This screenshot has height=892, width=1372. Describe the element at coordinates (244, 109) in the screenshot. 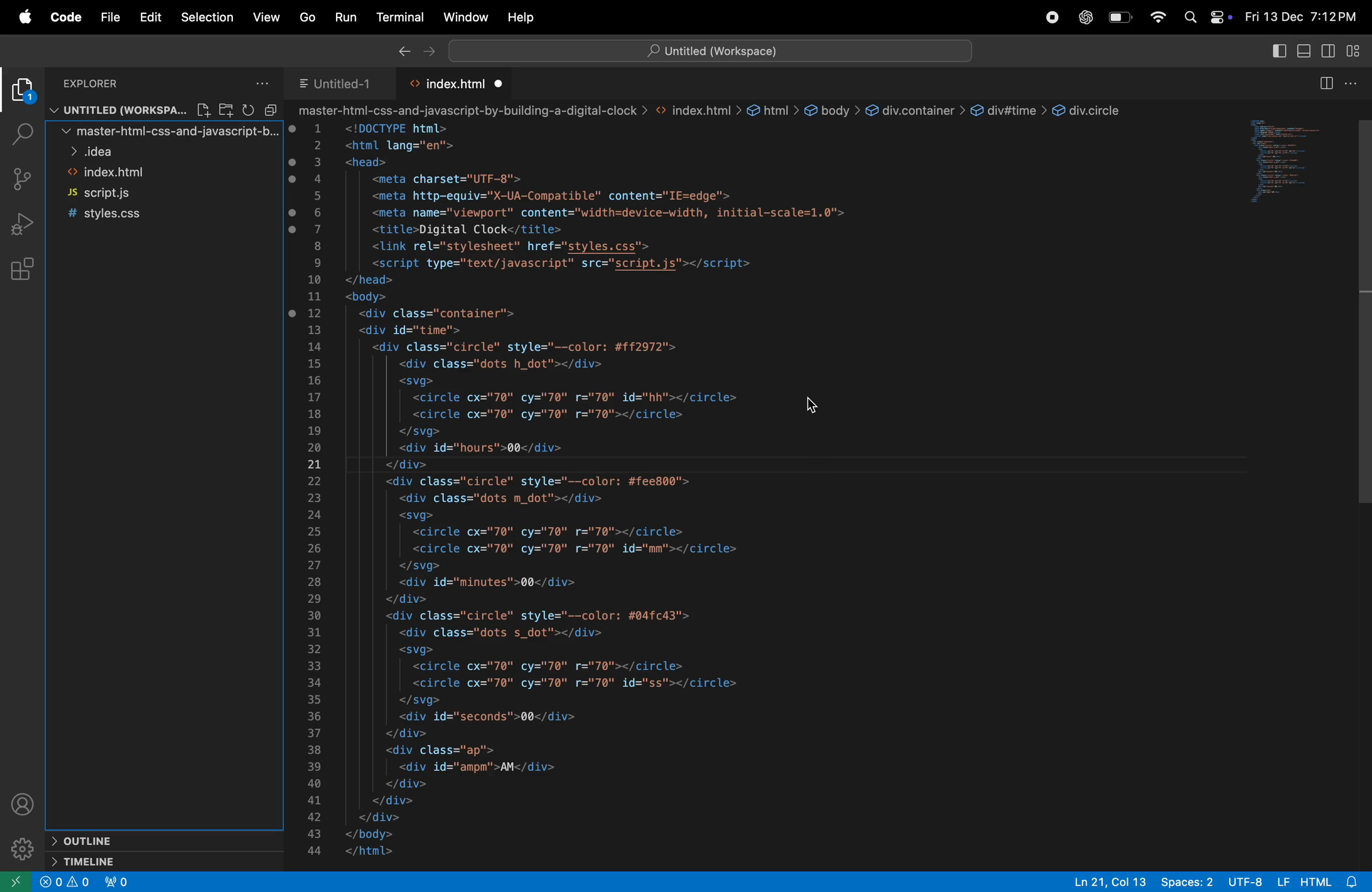

I see `refresh` at that location.